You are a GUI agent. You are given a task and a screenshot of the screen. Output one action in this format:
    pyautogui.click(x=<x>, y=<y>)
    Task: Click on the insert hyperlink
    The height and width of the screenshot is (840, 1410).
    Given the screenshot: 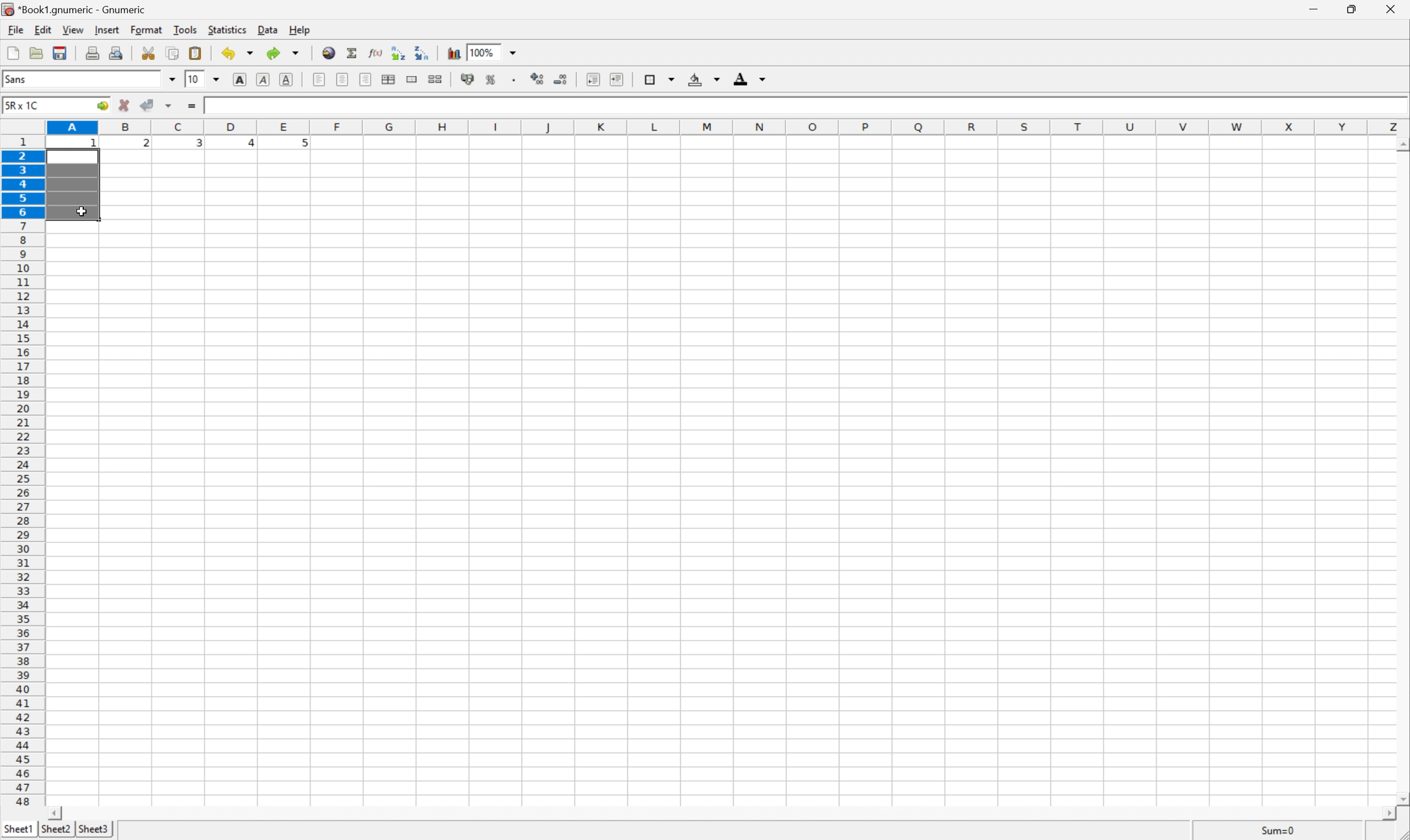 What is the action you would take?
    pyautogui.click(x=329, y=52)
    